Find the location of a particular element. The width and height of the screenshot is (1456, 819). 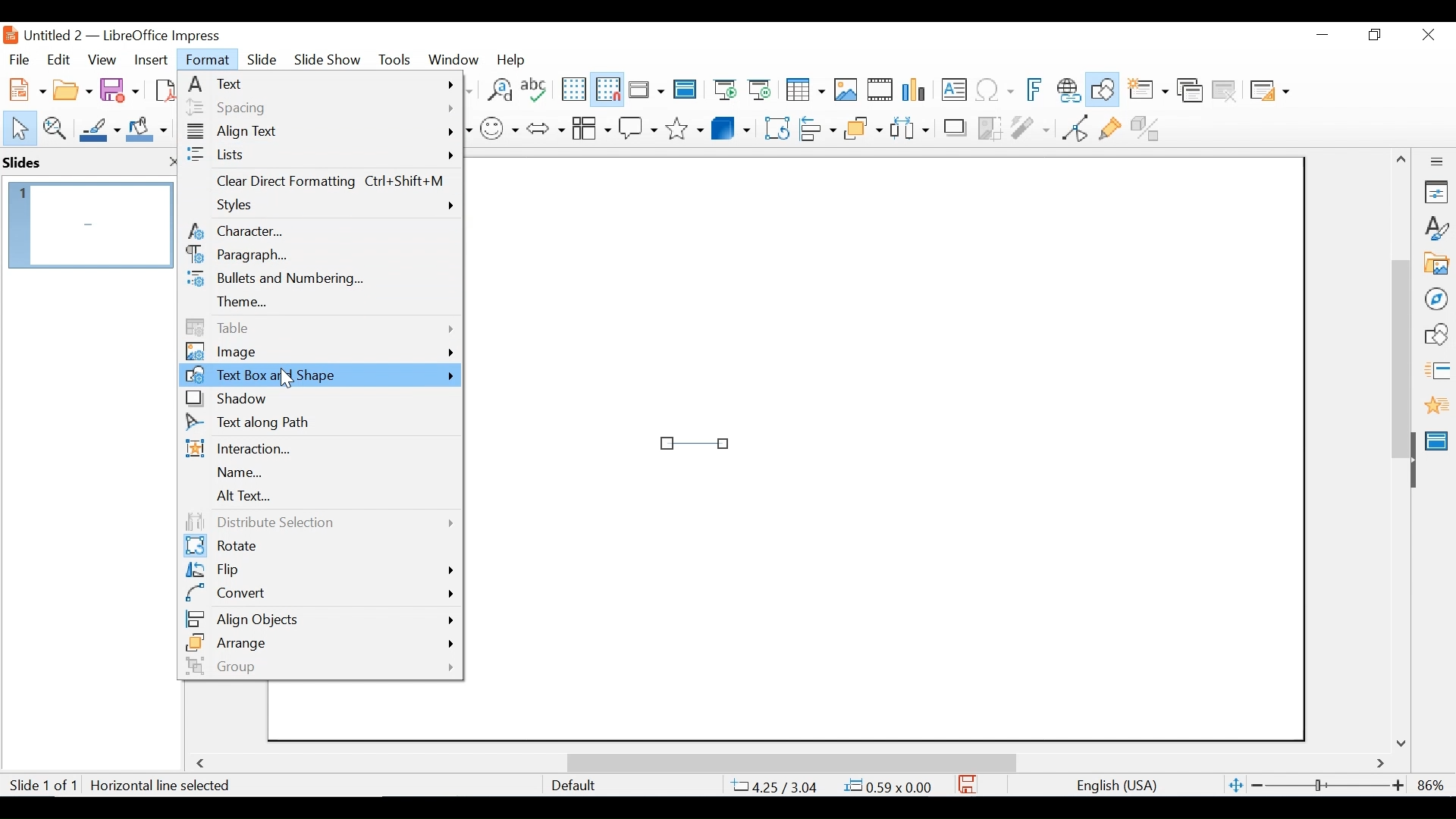

Bullet and Numbering is located at coordinates (318, 280).